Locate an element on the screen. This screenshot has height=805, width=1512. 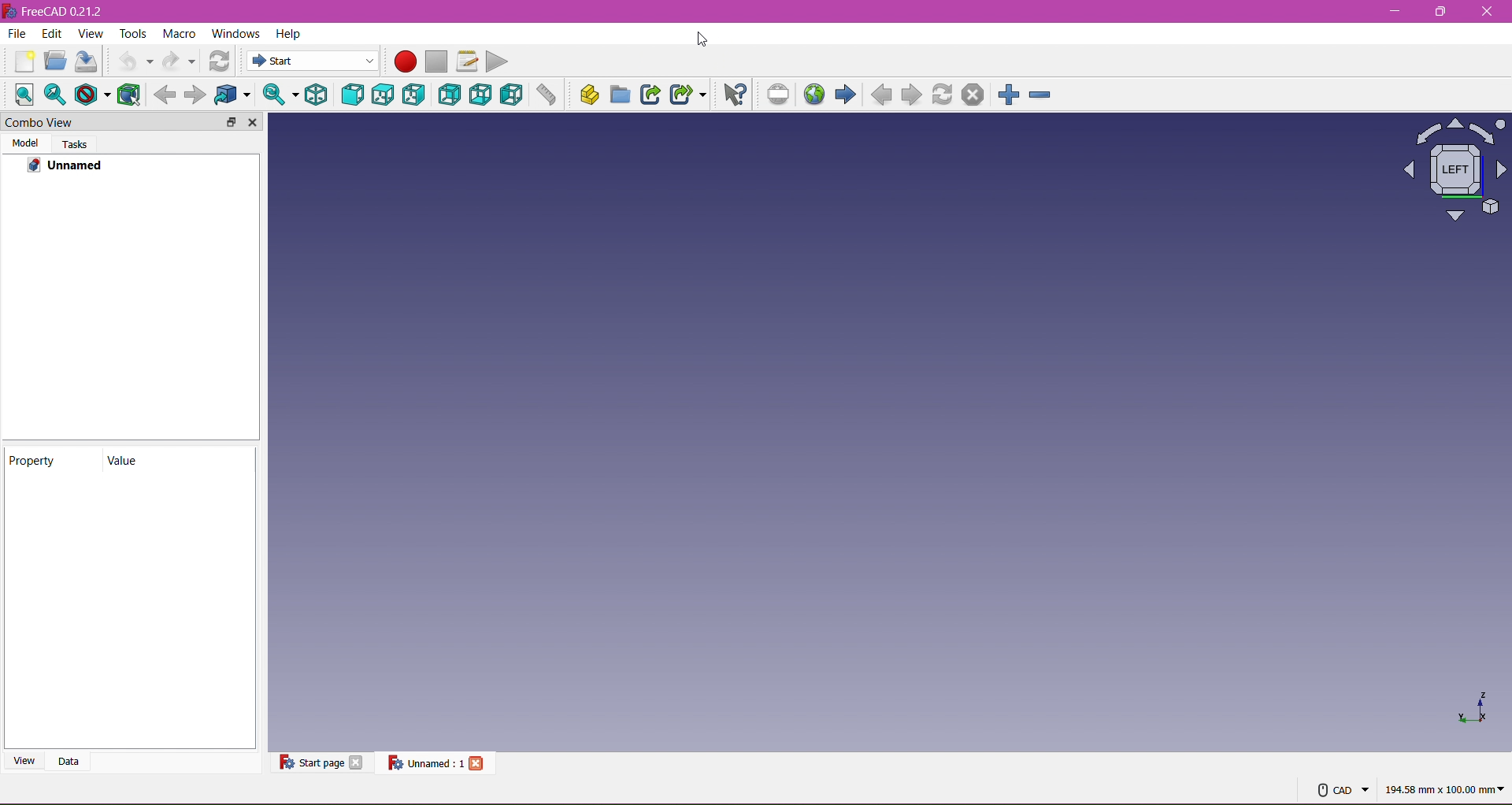
Top is located at coordinates (384, 95).